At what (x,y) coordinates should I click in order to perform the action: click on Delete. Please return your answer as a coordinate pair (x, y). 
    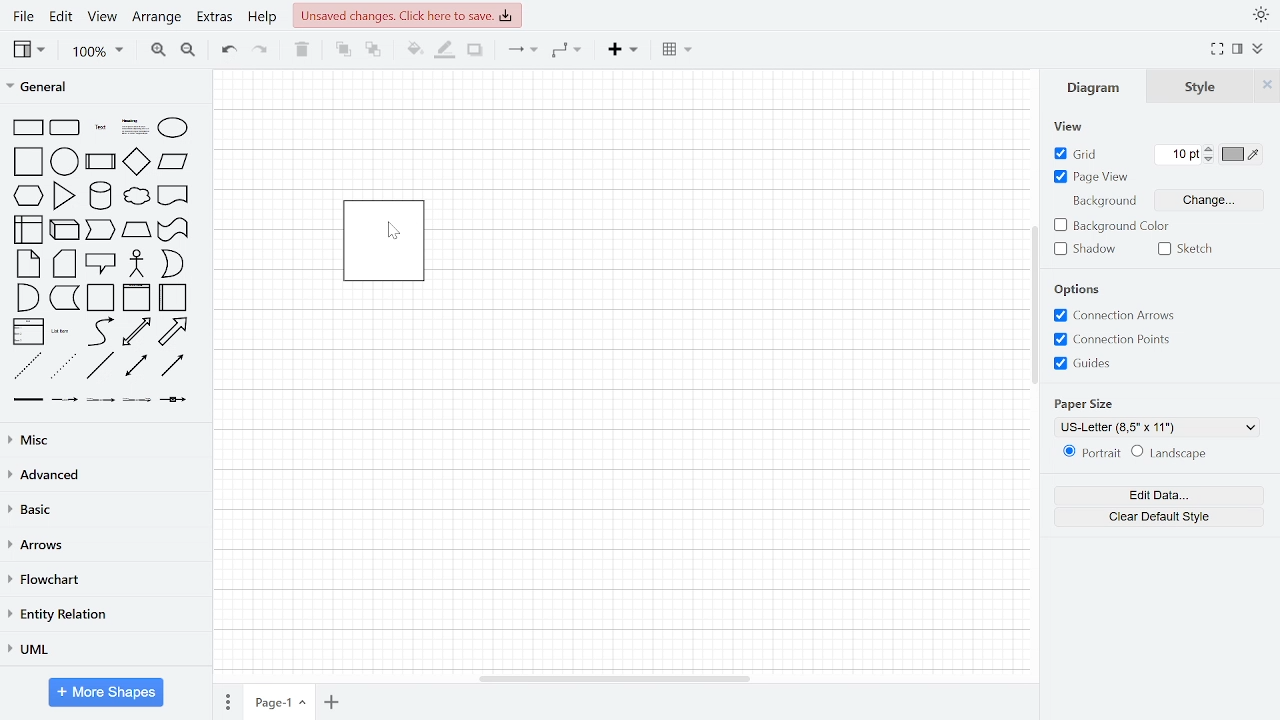
    Looking at the image, I should click on (302, 50).